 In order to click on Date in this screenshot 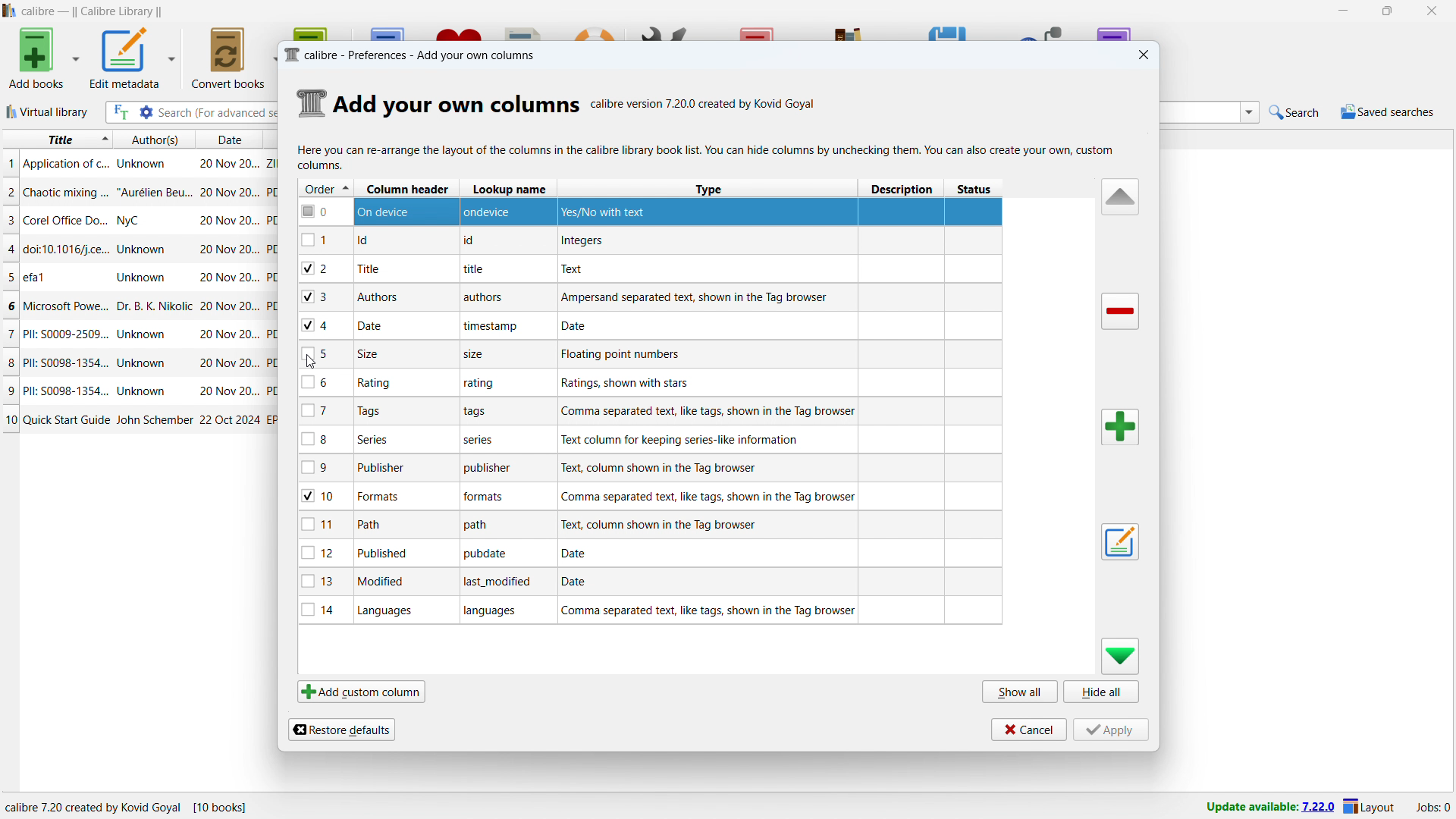, I will do `click(584, 325)`.